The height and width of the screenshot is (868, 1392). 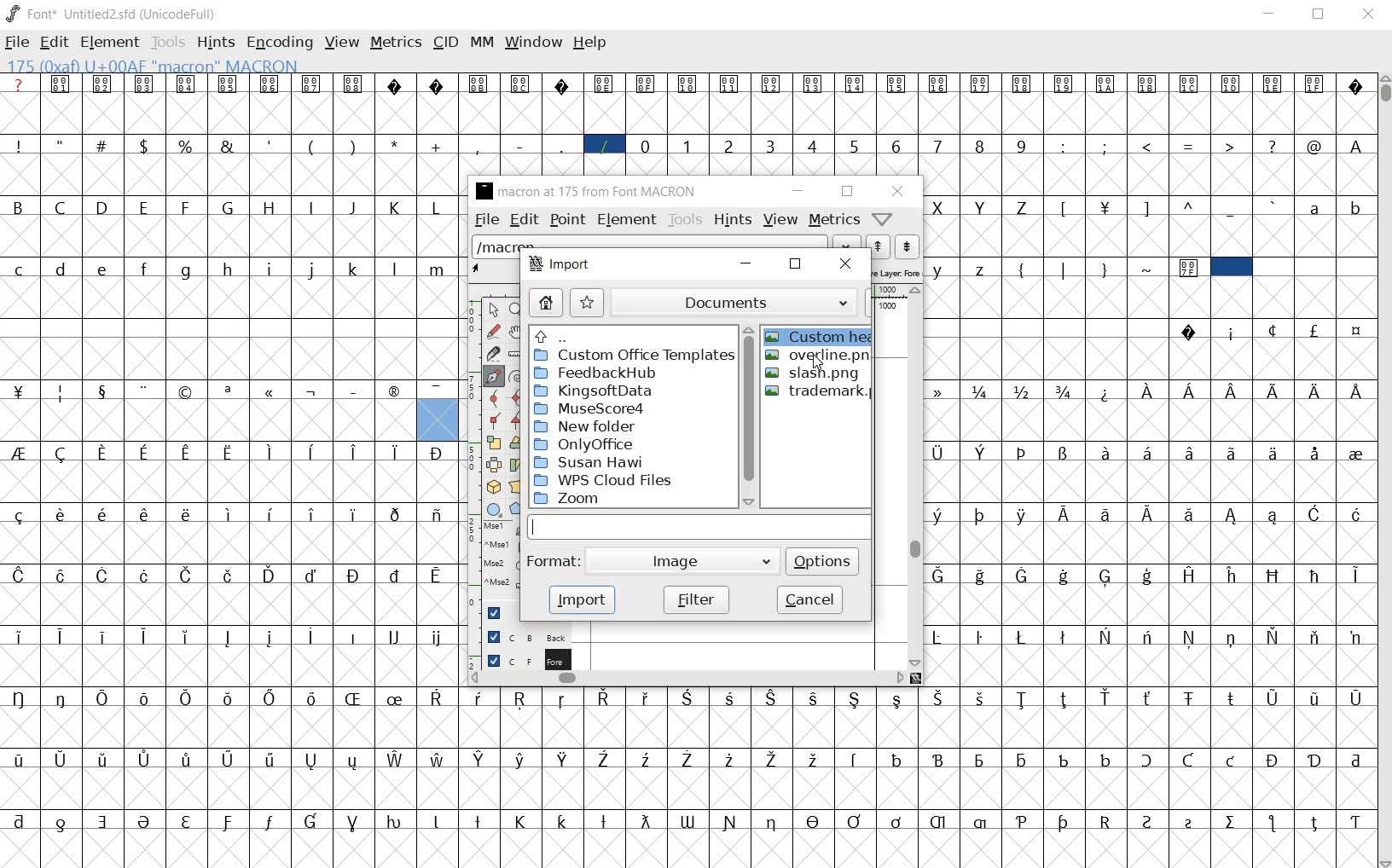 I want to click on scrollbar, so click(x=749, y=414).